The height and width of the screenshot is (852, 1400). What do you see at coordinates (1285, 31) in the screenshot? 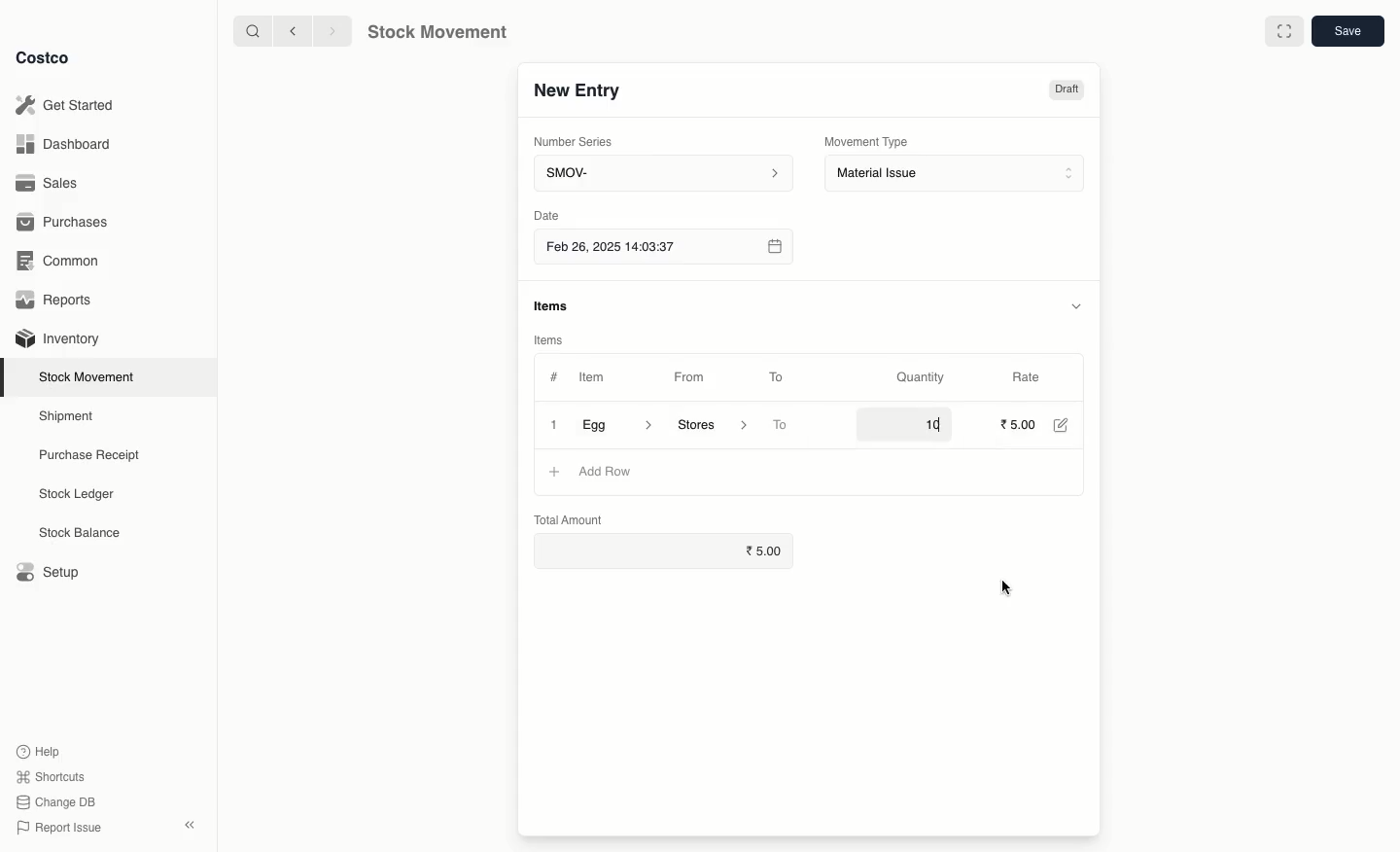
I see `Full width toggle` at bounding box center [1285, 31].